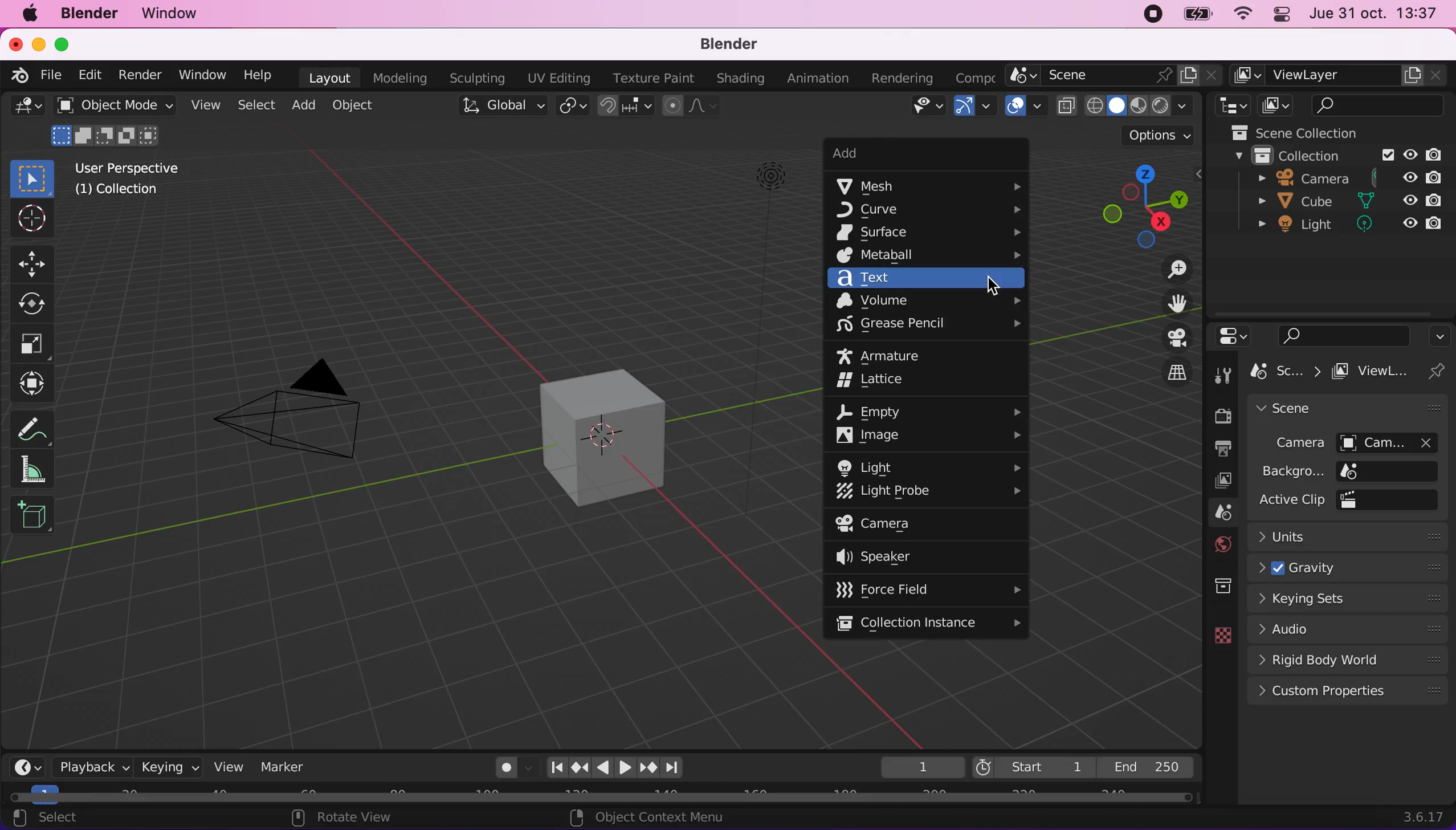 This screenshot has width=1456, height=830. What do you see at coordinates (1349, 407) in the screenshot?
I see `scene` at bounding box center [1349, 407].